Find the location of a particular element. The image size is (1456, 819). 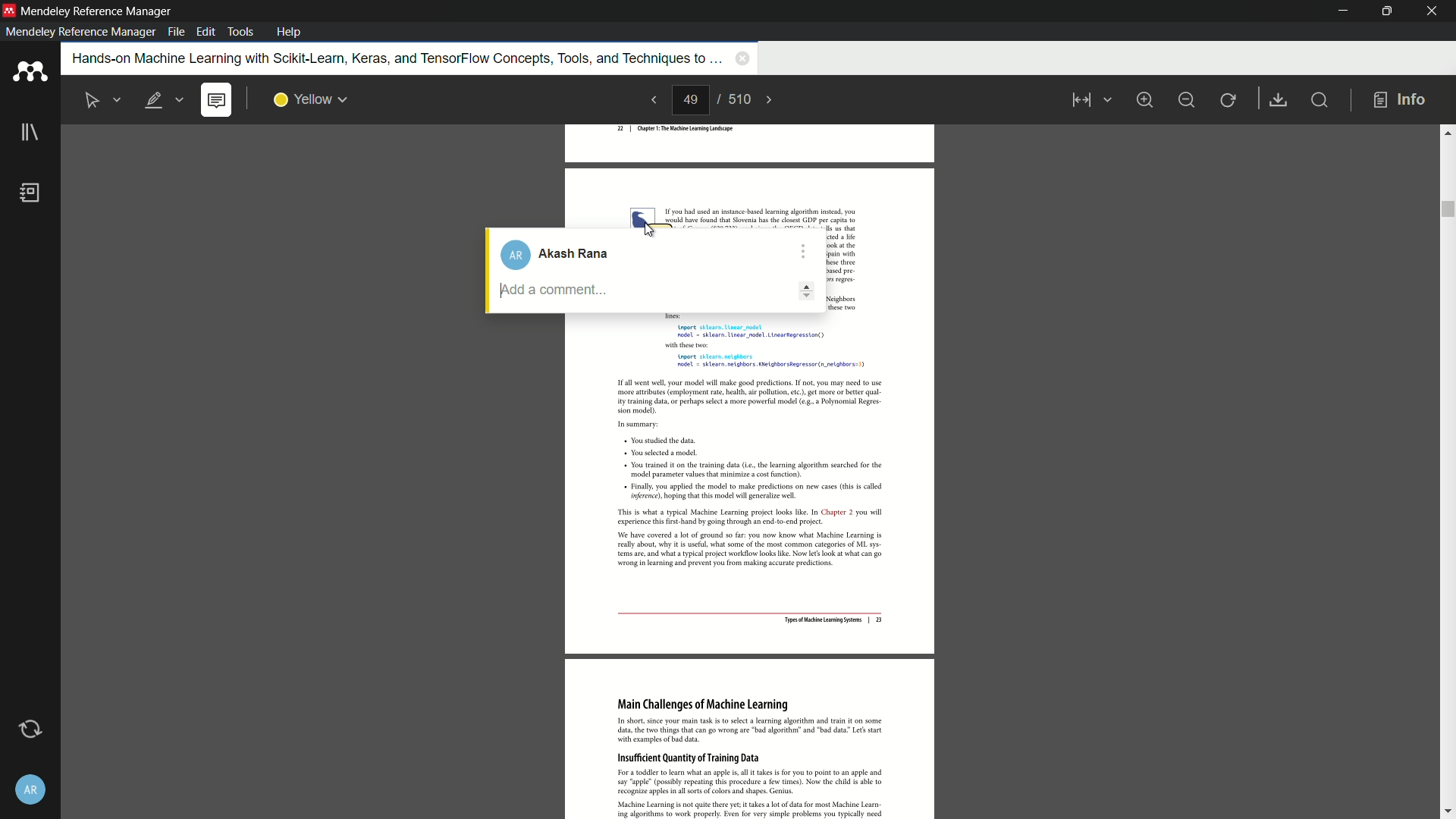

note selected is located at coordinates (218, 100).